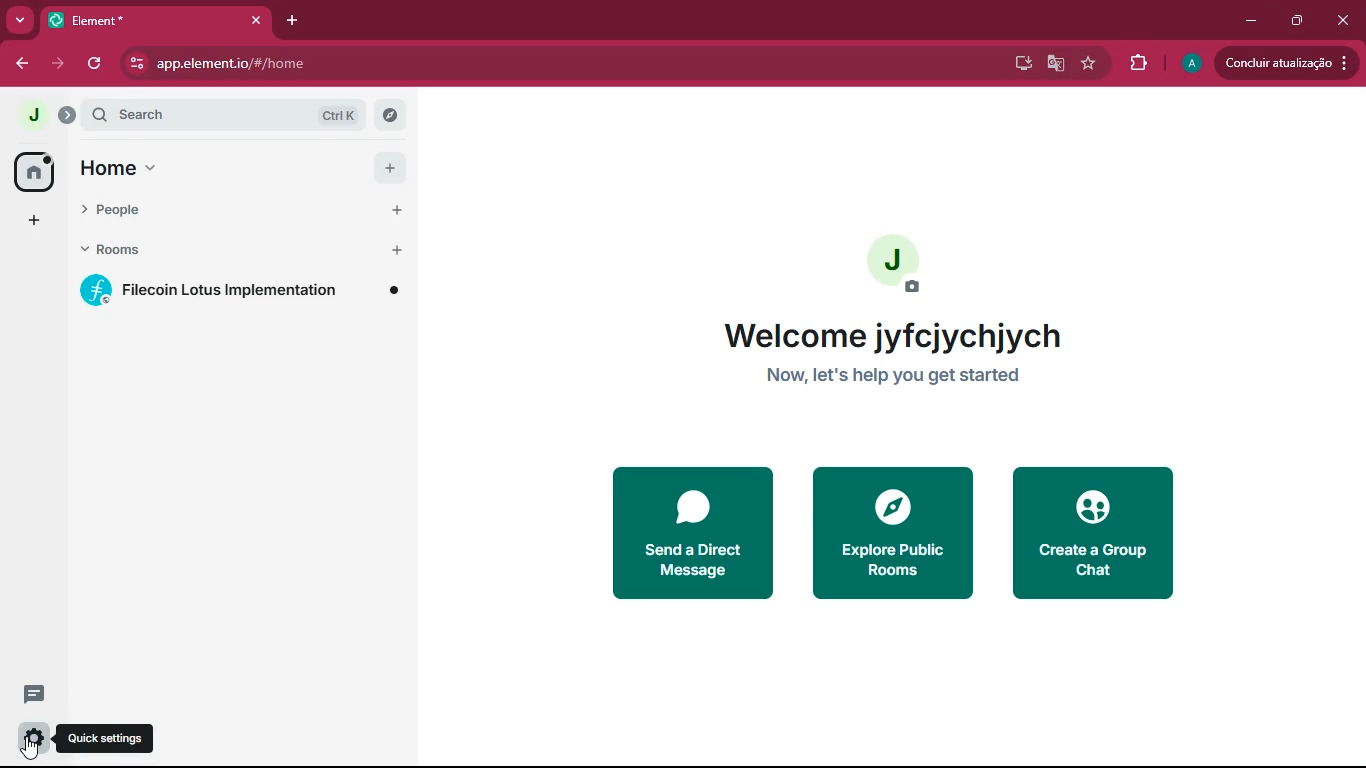 The image size is (1366, 768). I want to click on explore public rooms, so click(893, 534).